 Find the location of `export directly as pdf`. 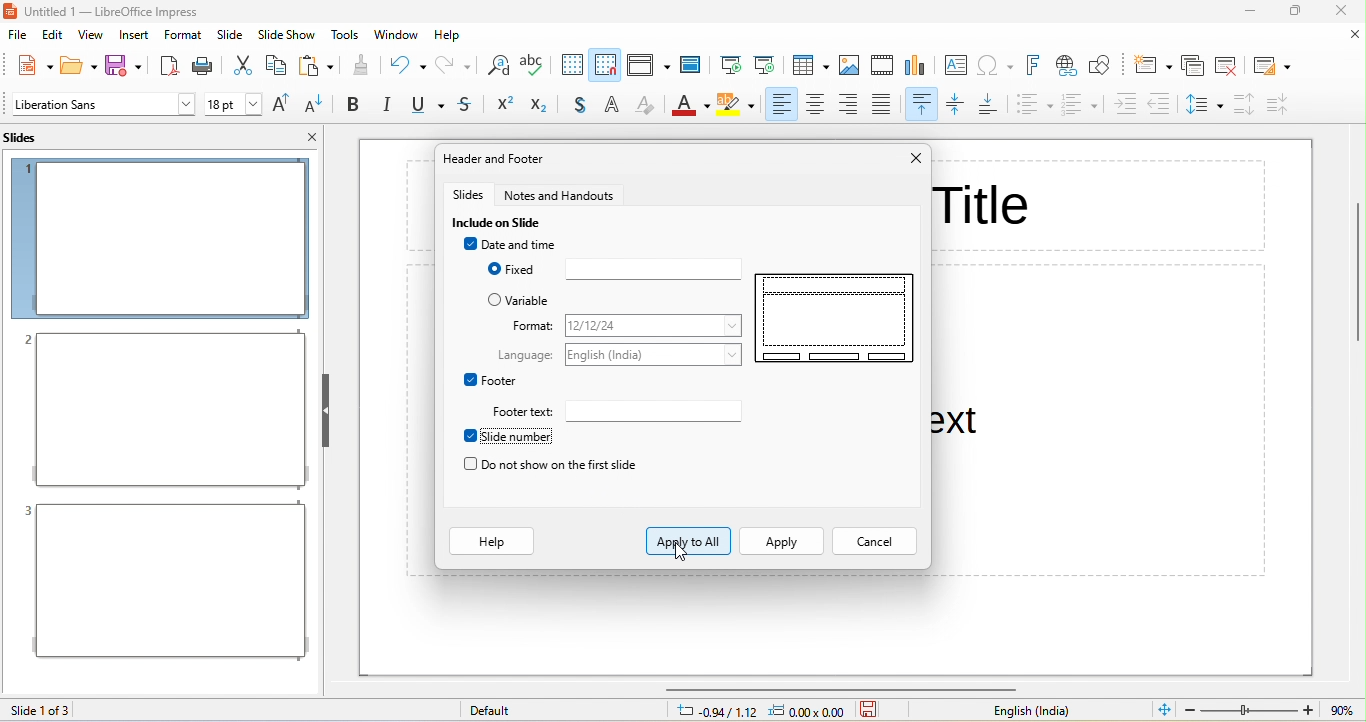

export directly as pdf is located at coordinates (168, 64).